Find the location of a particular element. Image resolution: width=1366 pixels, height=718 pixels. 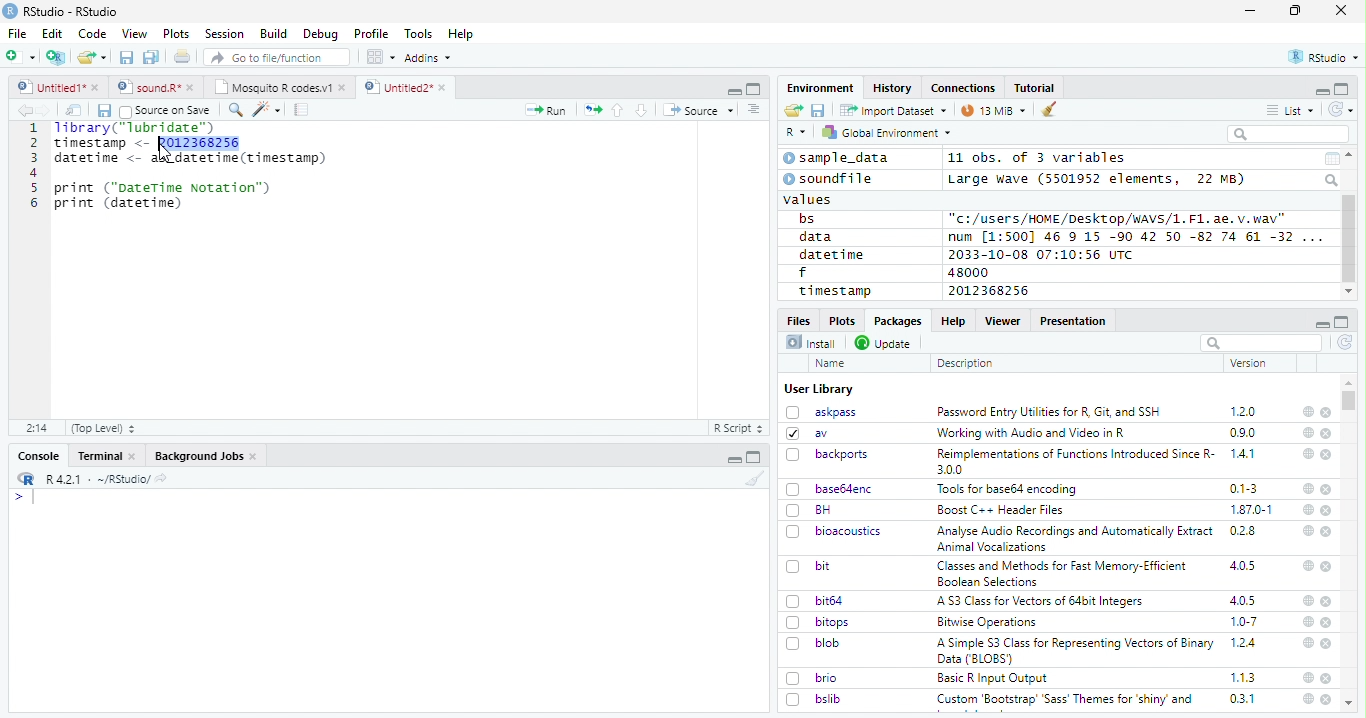

Go to next section is located at coordinates (644, 110).